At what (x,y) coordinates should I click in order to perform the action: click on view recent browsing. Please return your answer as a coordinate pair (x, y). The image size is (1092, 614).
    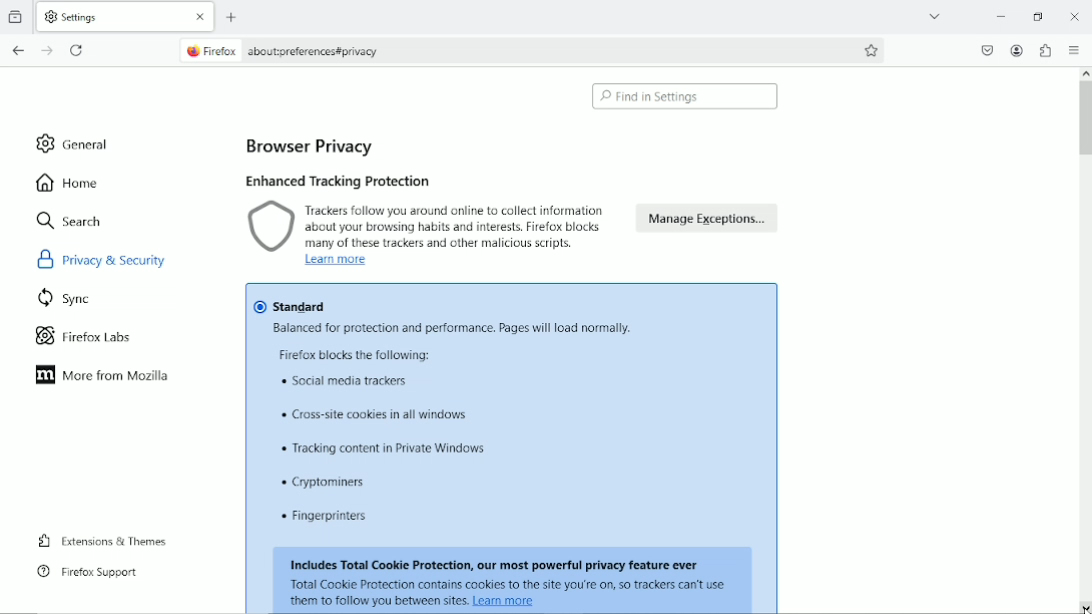
    Looking at the image, I should click on (17, 15).